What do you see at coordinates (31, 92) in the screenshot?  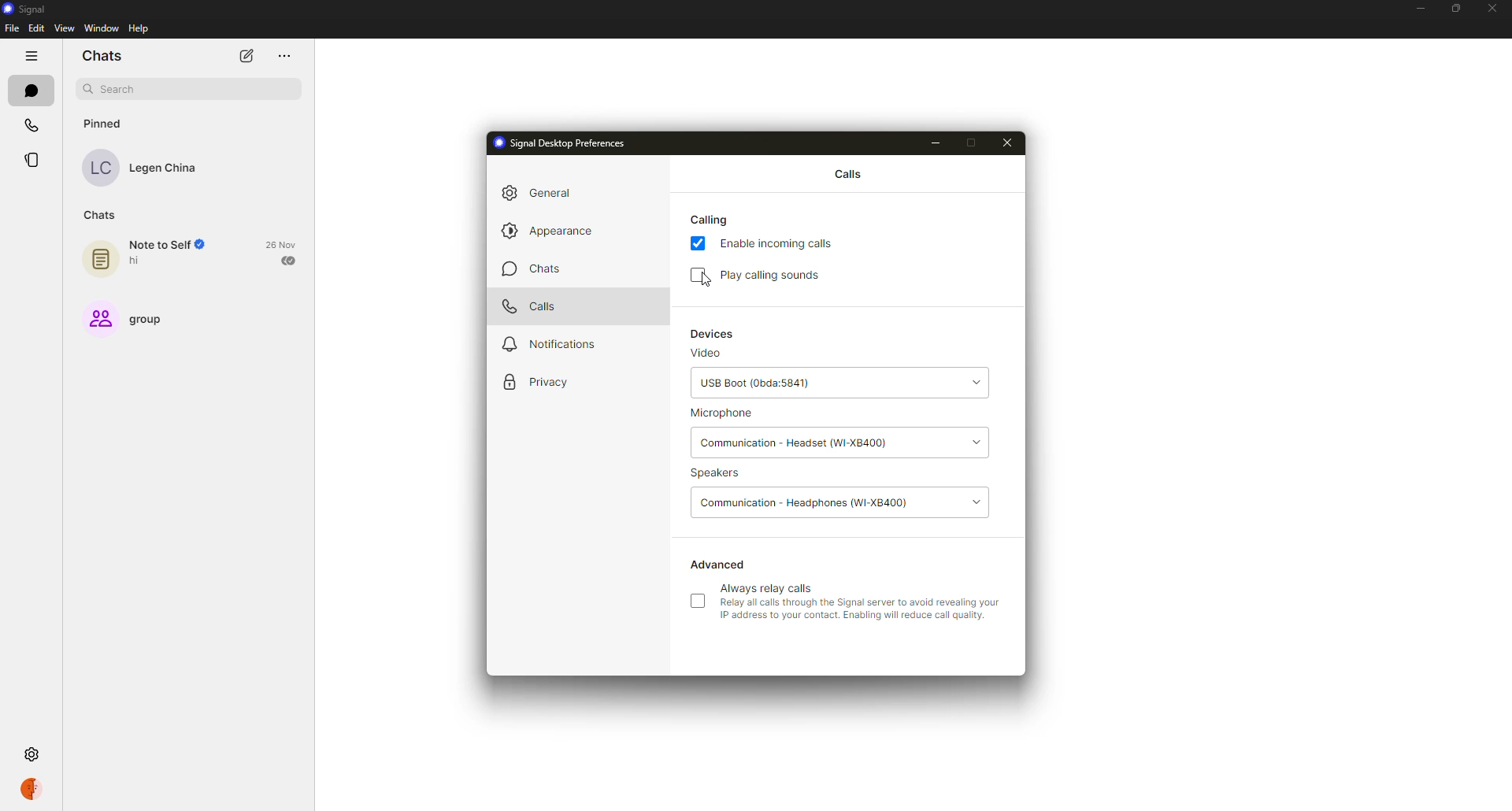 I see `chats` at bounding box center [31, 92].